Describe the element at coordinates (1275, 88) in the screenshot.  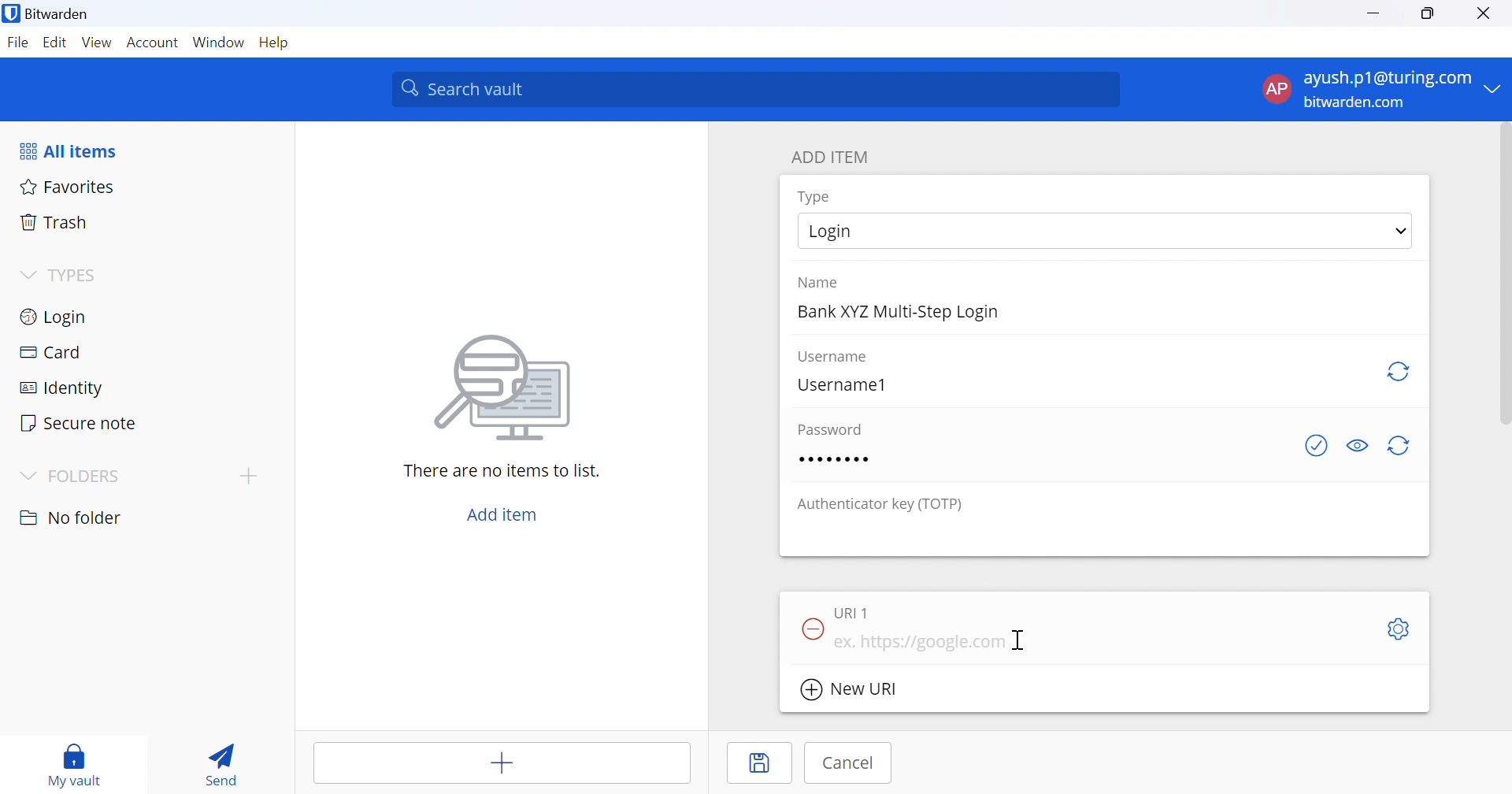
I see `AP` at that location.